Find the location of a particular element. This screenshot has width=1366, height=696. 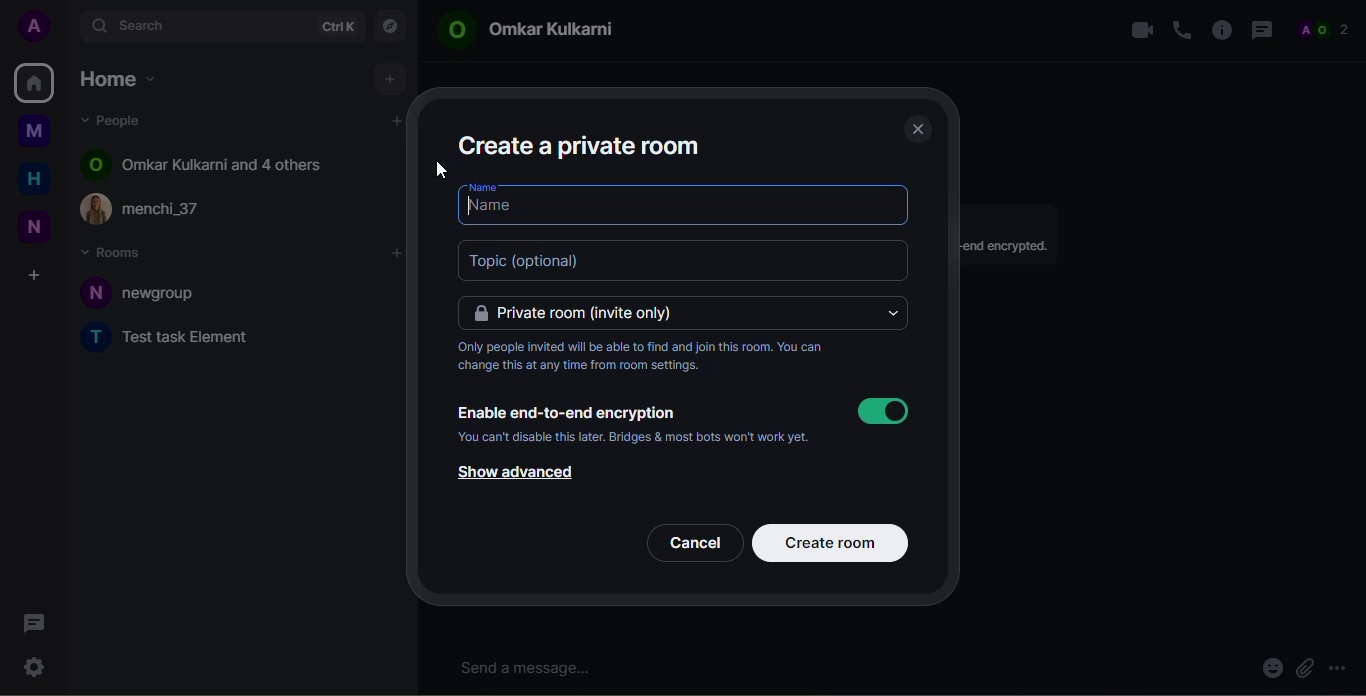

emoji is located at coordinates (1270, 670).